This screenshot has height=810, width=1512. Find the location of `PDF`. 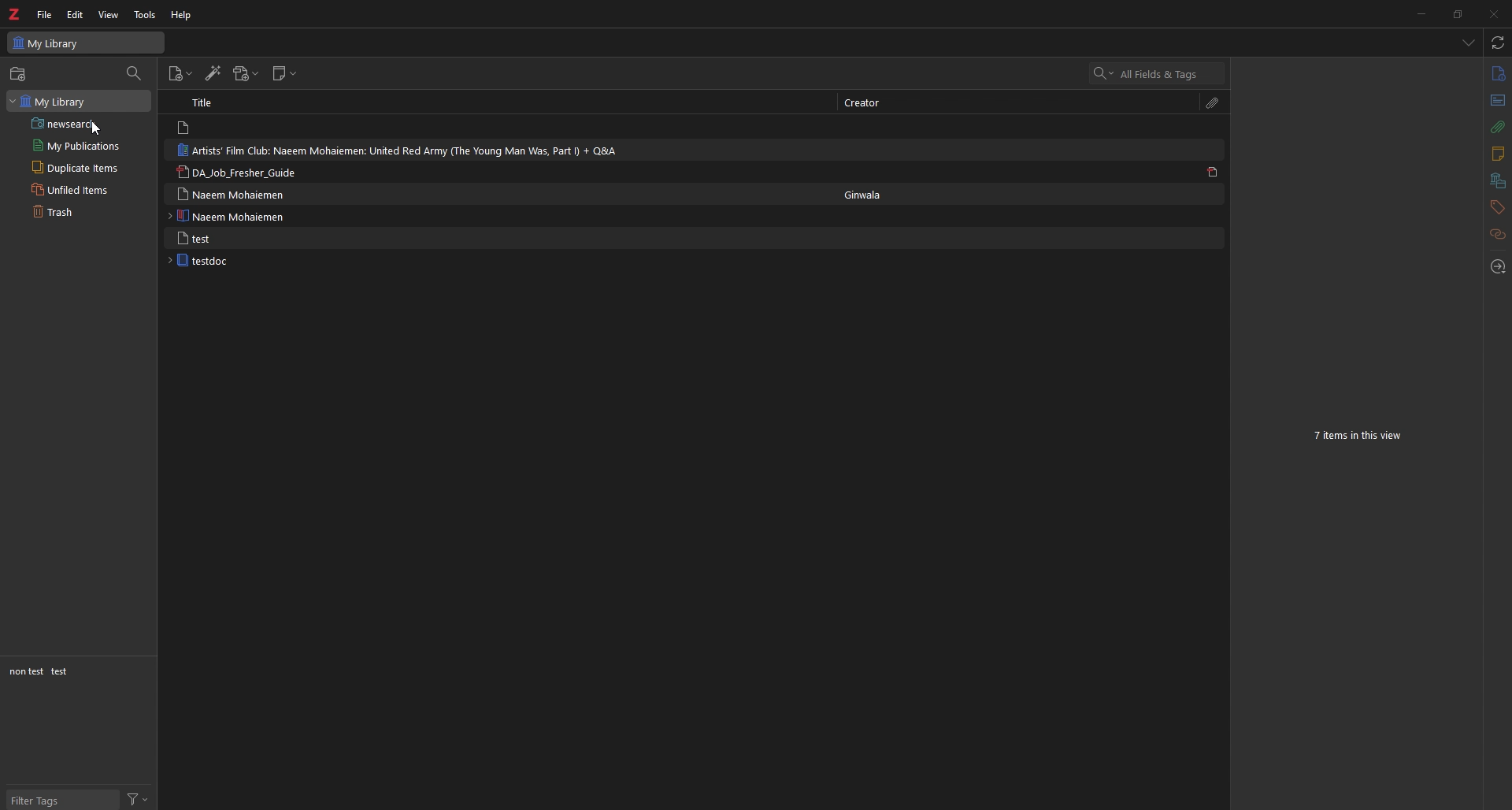

PDF is located at coordinates (237, 172).